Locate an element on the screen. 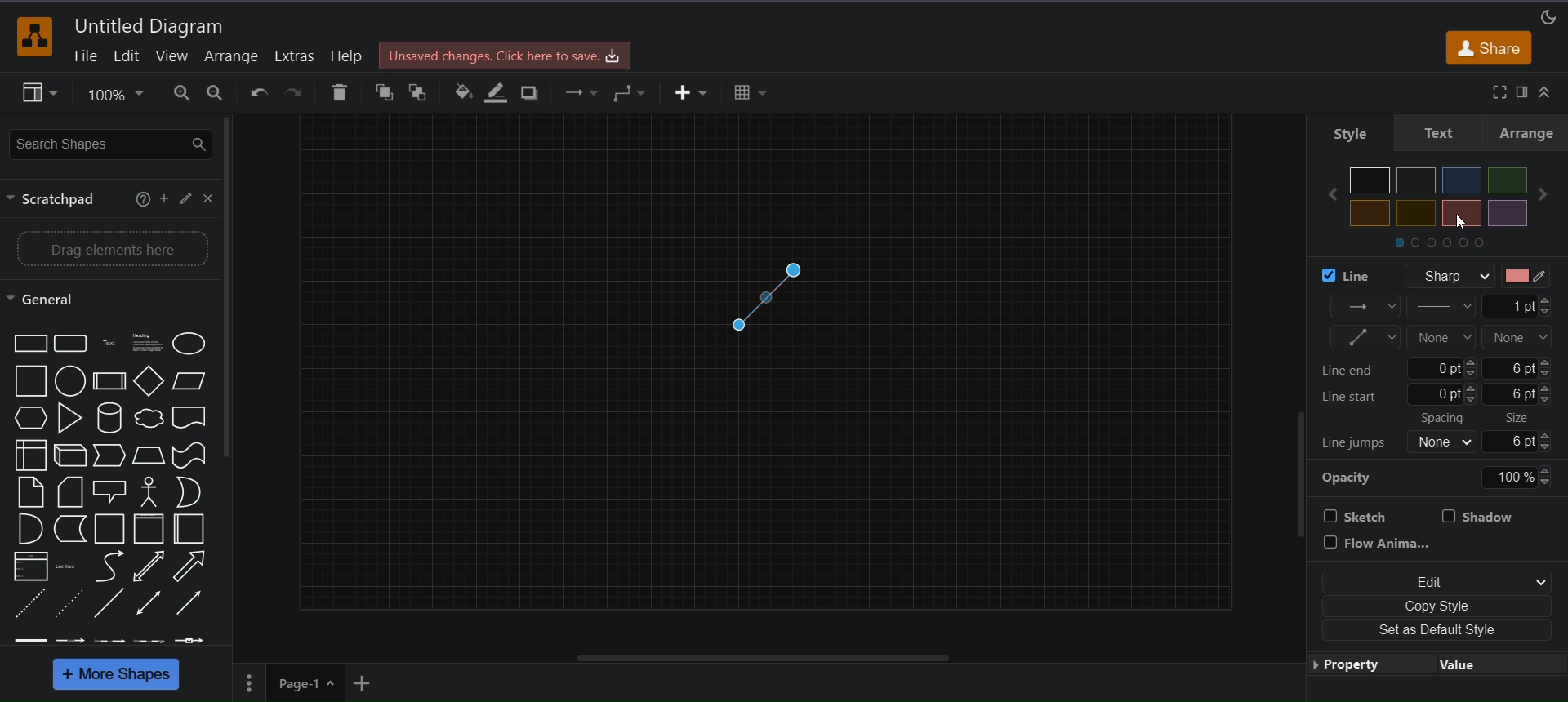 The image size is (1568, 702). redo is located at coordinates (295, 91).